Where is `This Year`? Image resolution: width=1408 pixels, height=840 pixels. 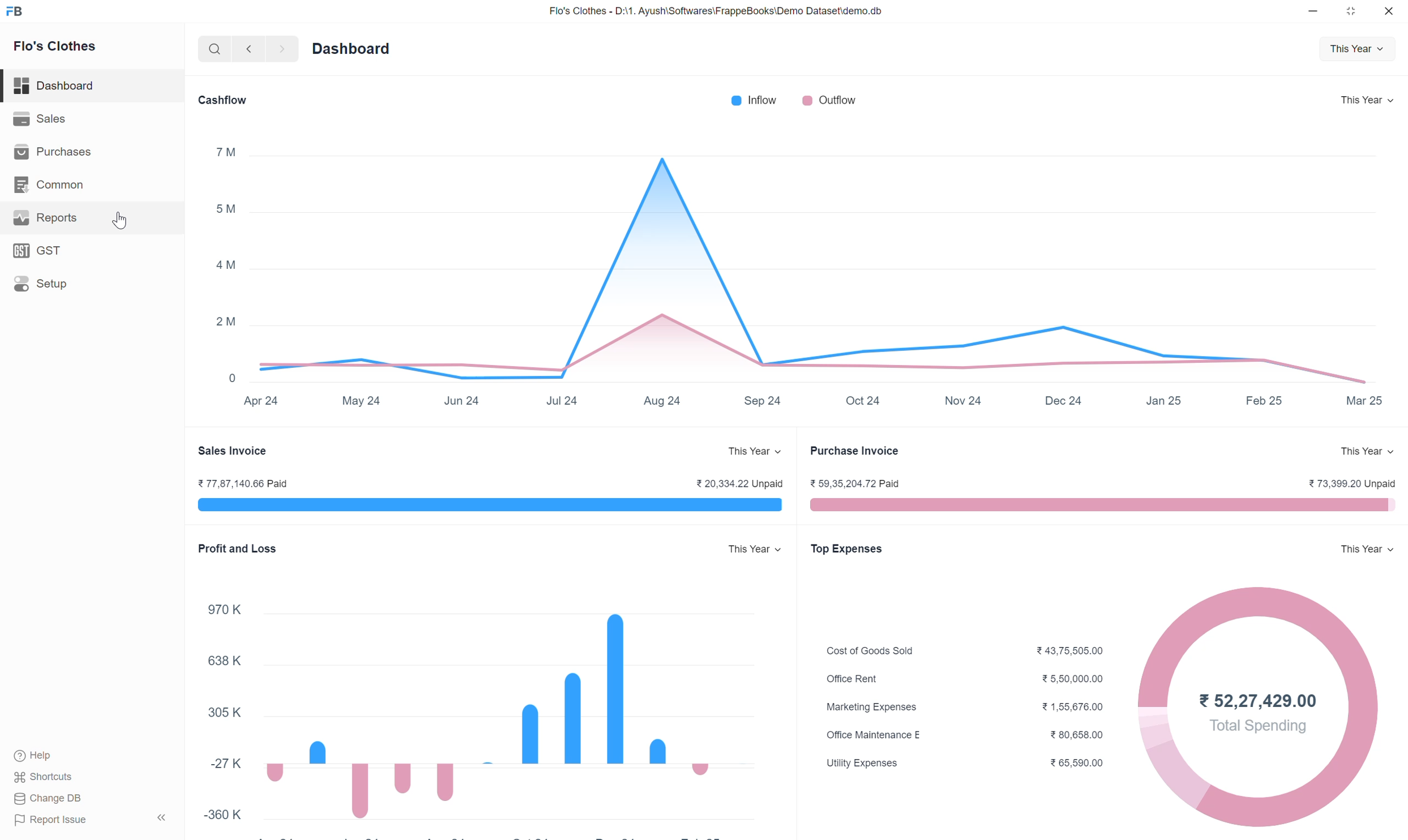 This Year is located at coordinates (1367, 99).